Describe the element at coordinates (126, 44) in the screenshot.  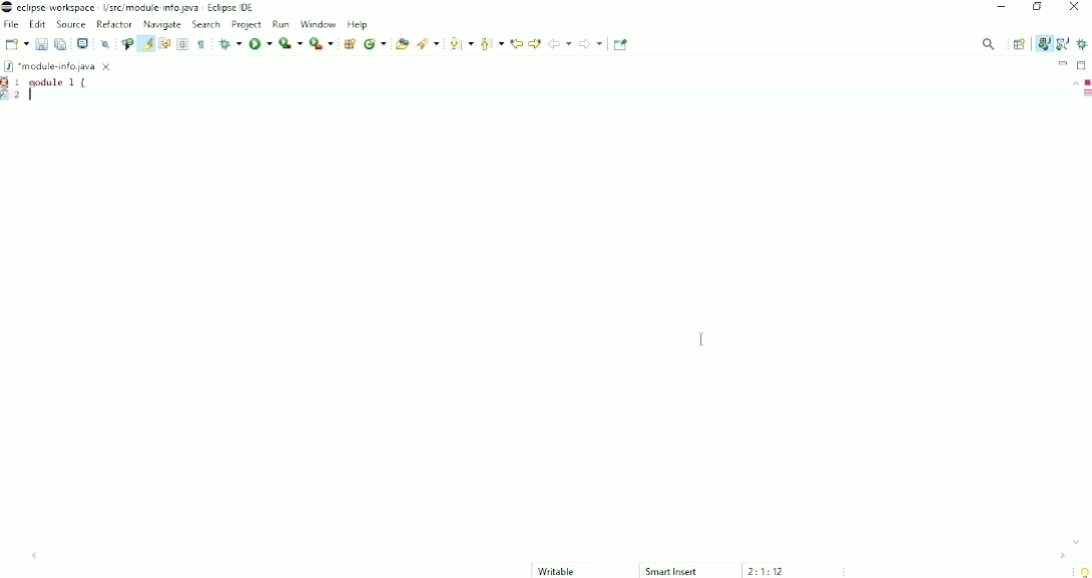
I see `Toggle breadcrumb` at that location.